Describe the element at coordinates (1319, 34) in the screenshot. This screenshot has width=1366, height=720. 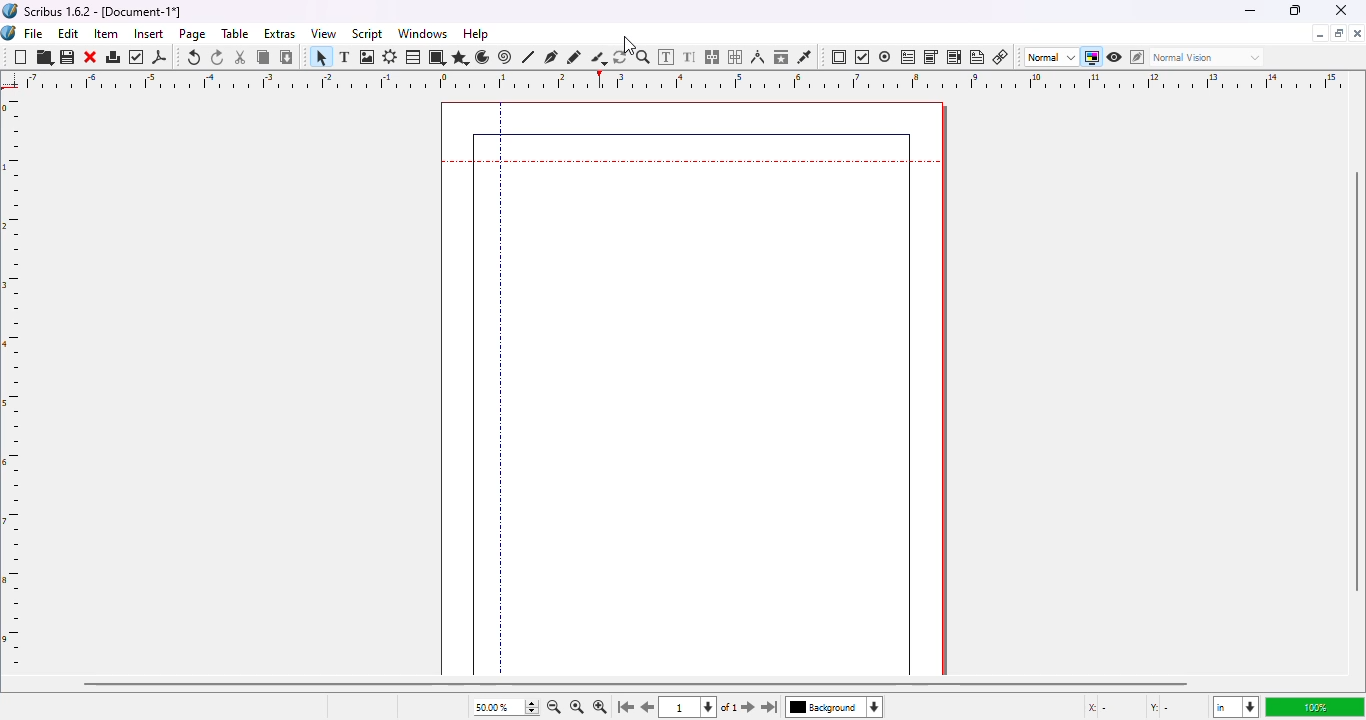
I see `minimize` at that location.